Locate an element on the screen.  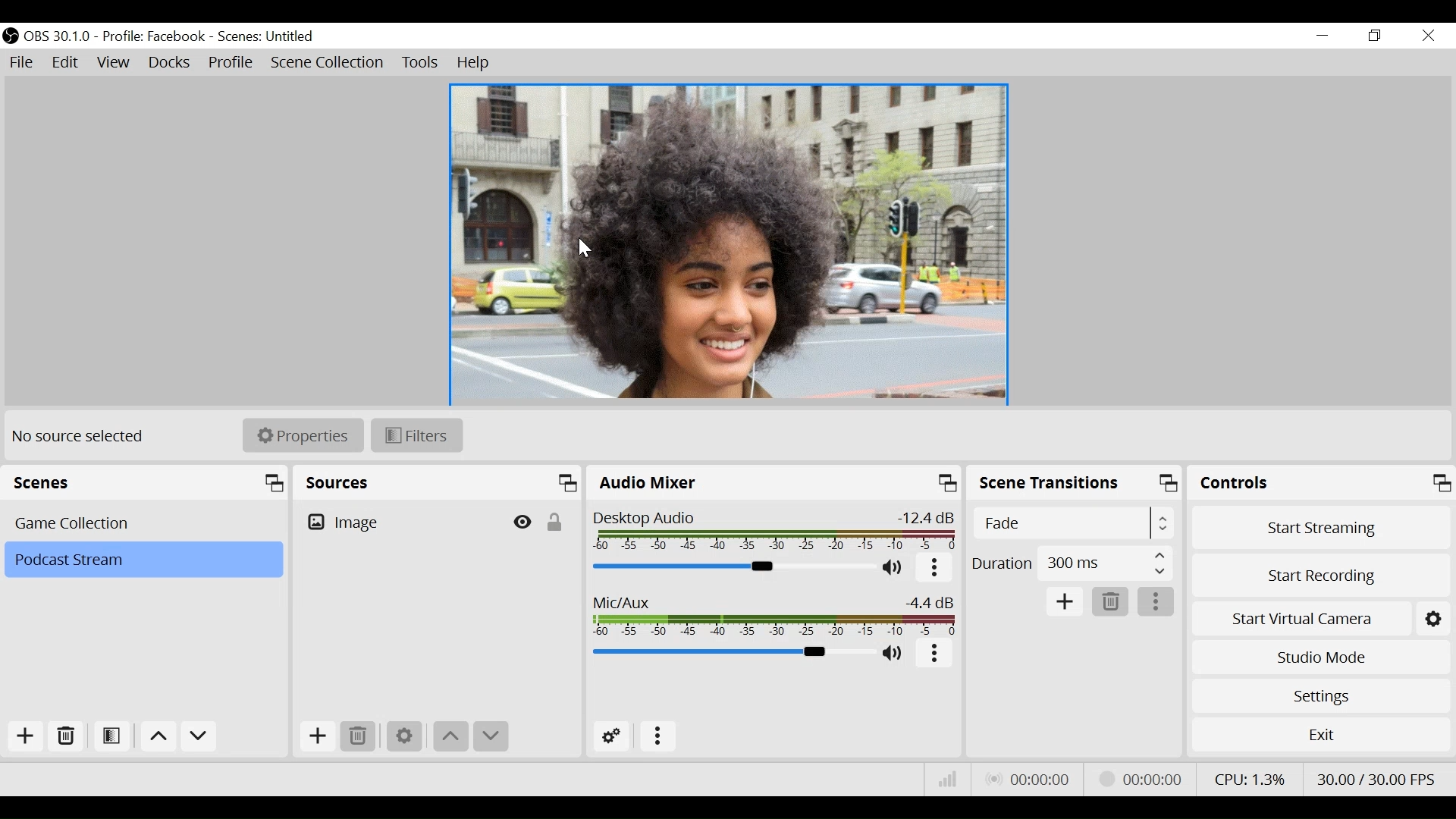
More Options is located at coordinates (658, 737).